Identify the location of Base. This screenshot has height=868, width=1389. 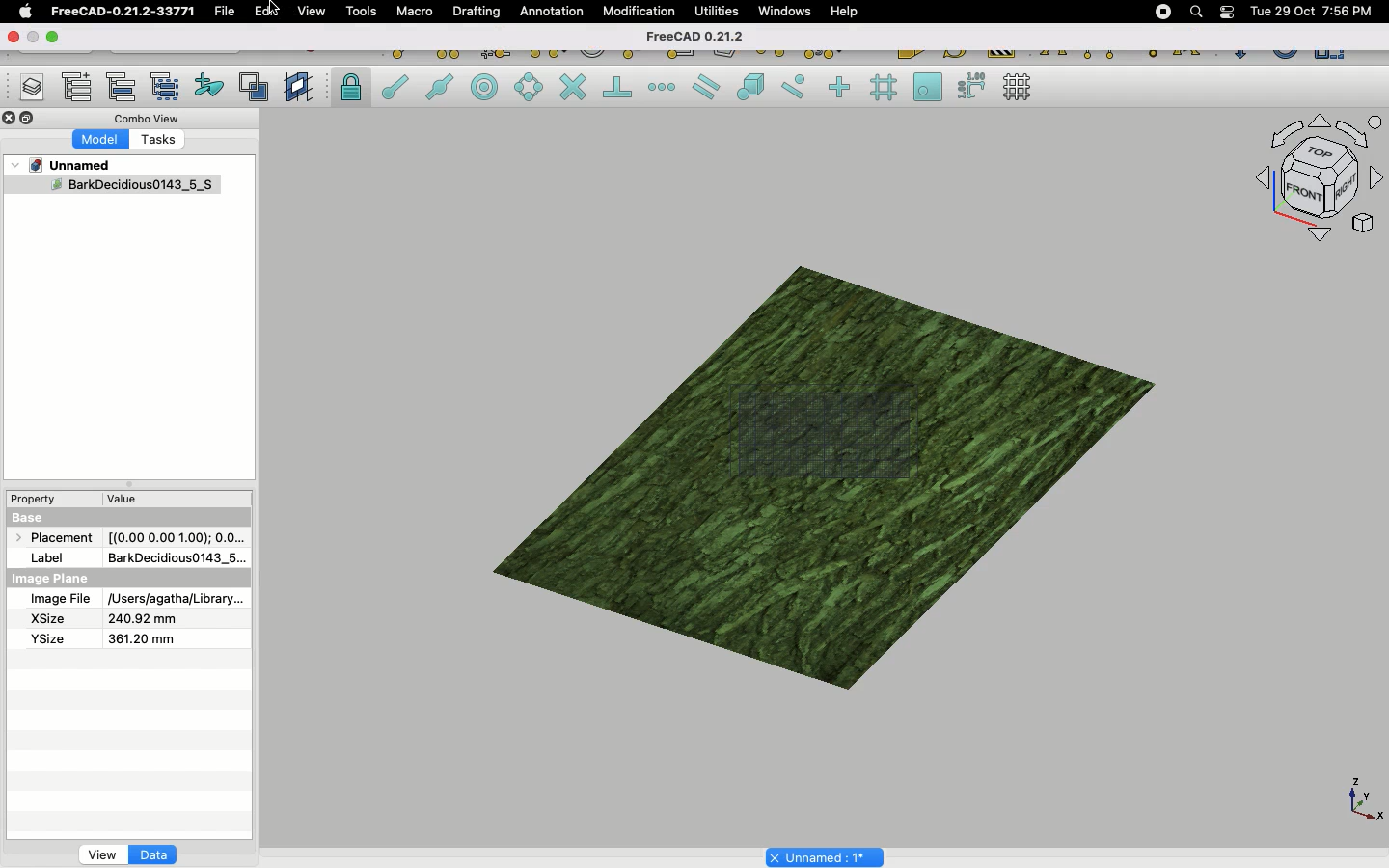
(31, 516).